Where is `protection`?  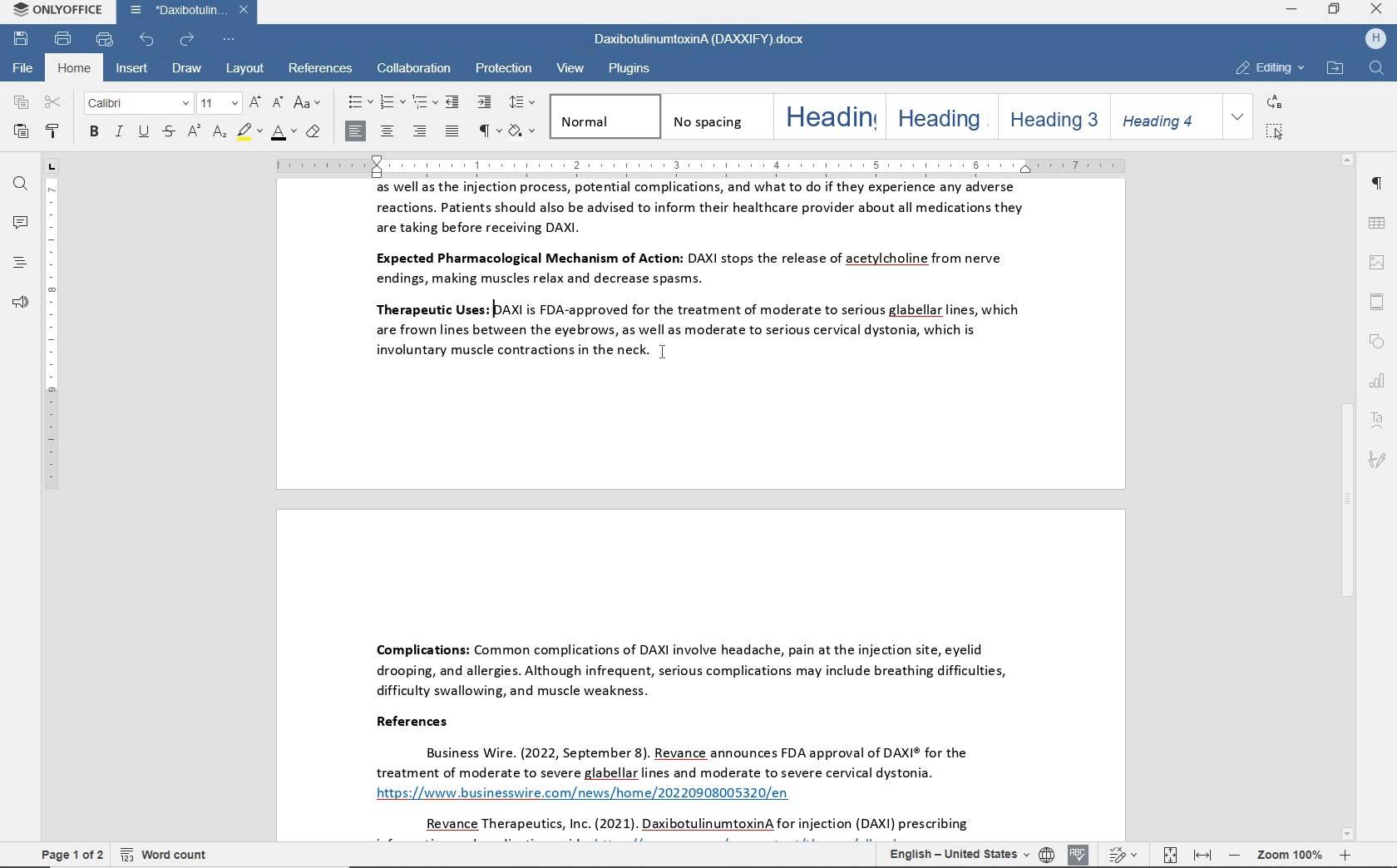 protection is located at coordinates (503, 67).